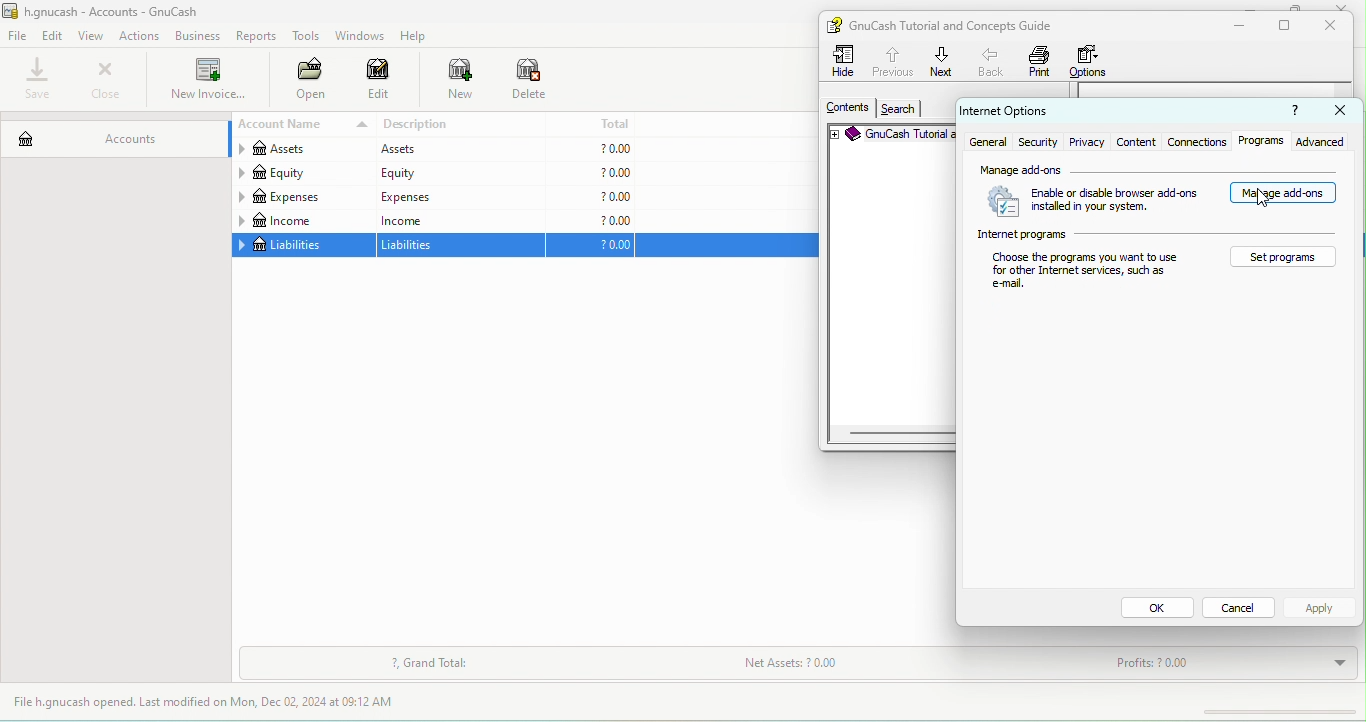  What do you see at coordinates (1325, 142) in the screenshot?
I see `advanced` at bounding box center [1325, 142].